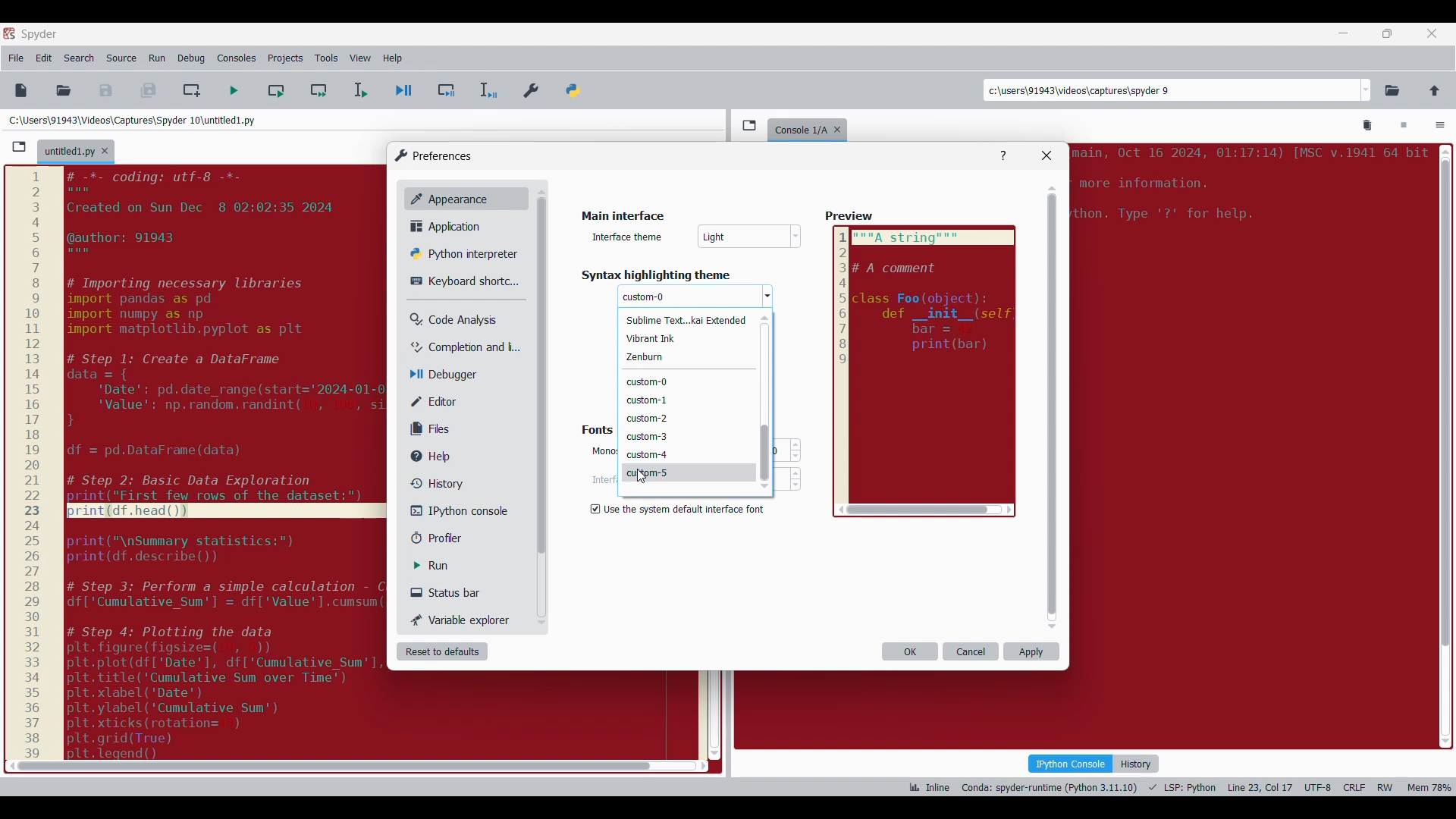  What do you see at coordinates (1392, 90) in the screenshot?
I see `Browse a working directory` at bounding box center [1392, 90].